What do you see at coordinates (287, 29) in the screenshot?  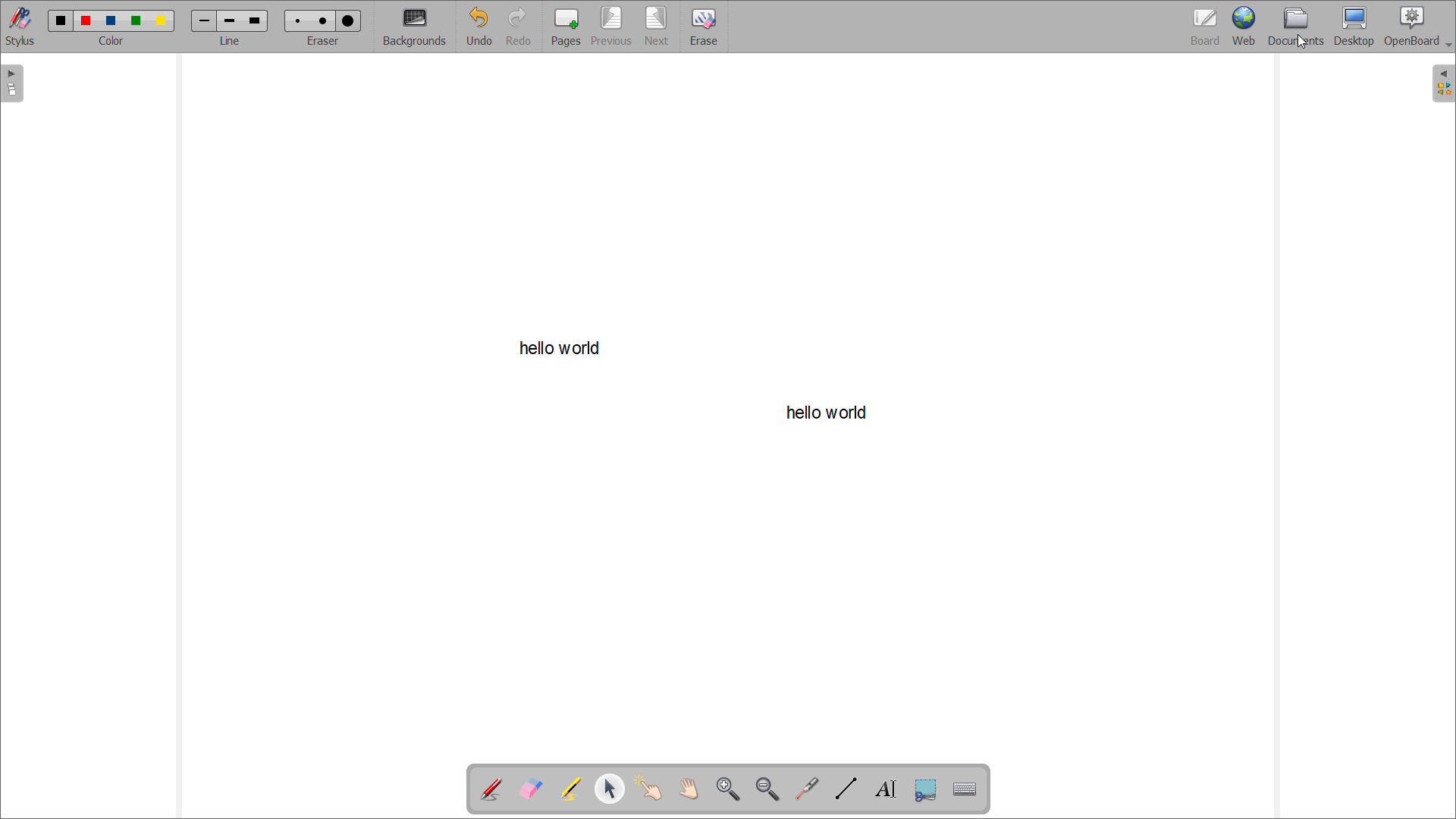 I see `eraser` at bounding box center [287, 29].